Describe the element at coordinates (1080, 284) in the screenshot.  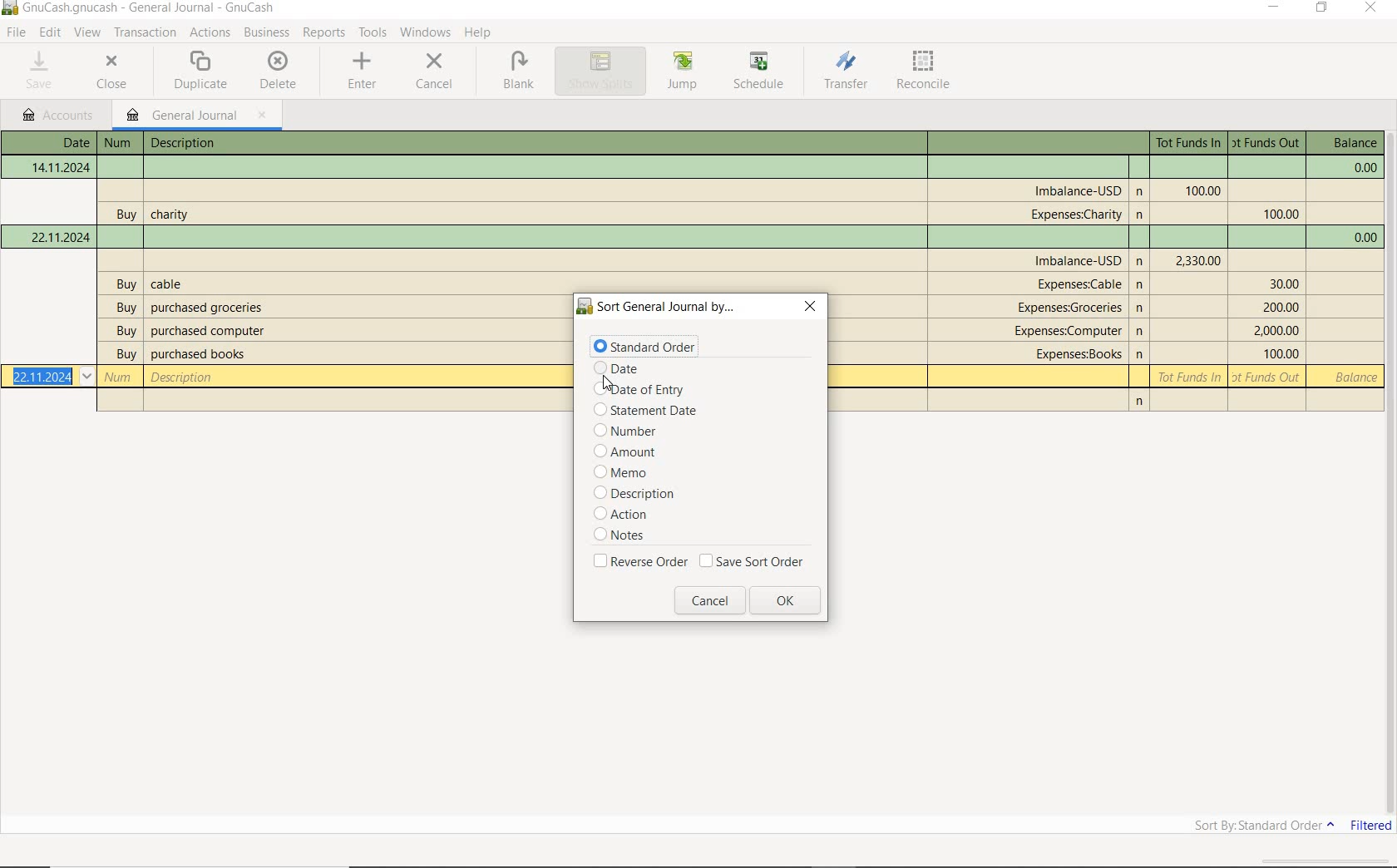
I see `account` at that location.